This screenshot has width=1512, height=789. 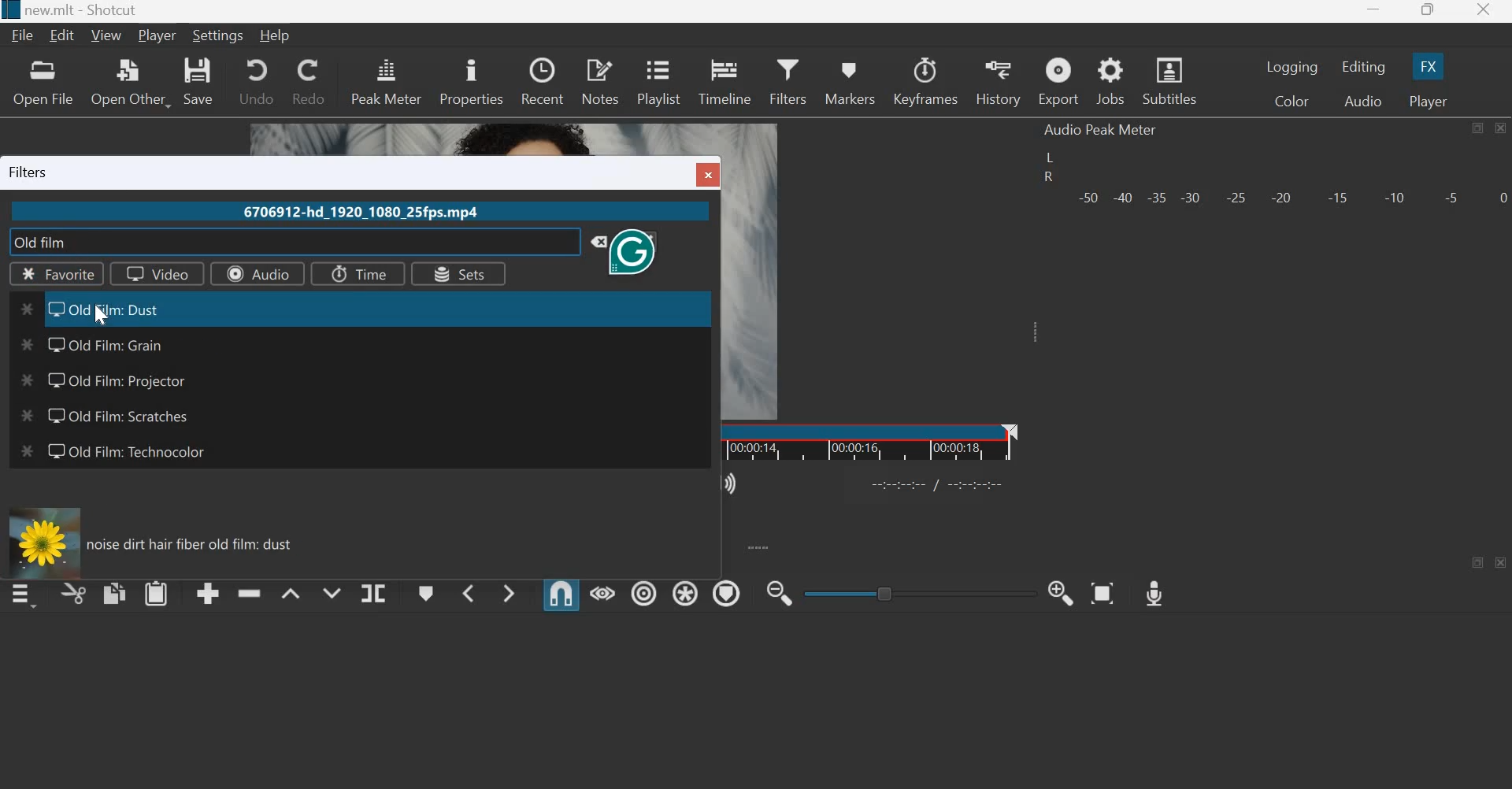 I want to click on Player, so click(x=1426, y=101).